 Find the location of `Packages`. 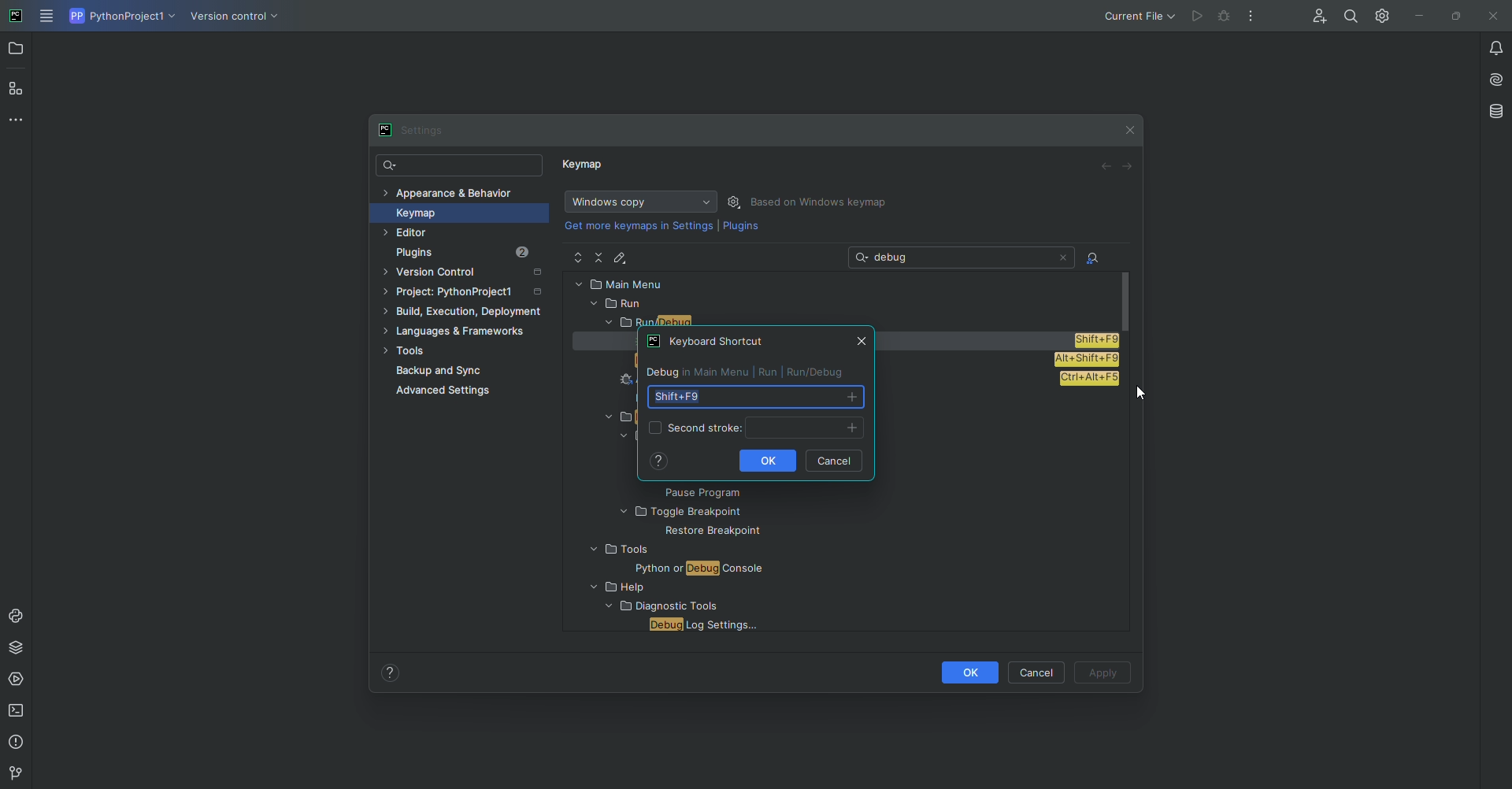

Packages is located at coordinates (20, 647).